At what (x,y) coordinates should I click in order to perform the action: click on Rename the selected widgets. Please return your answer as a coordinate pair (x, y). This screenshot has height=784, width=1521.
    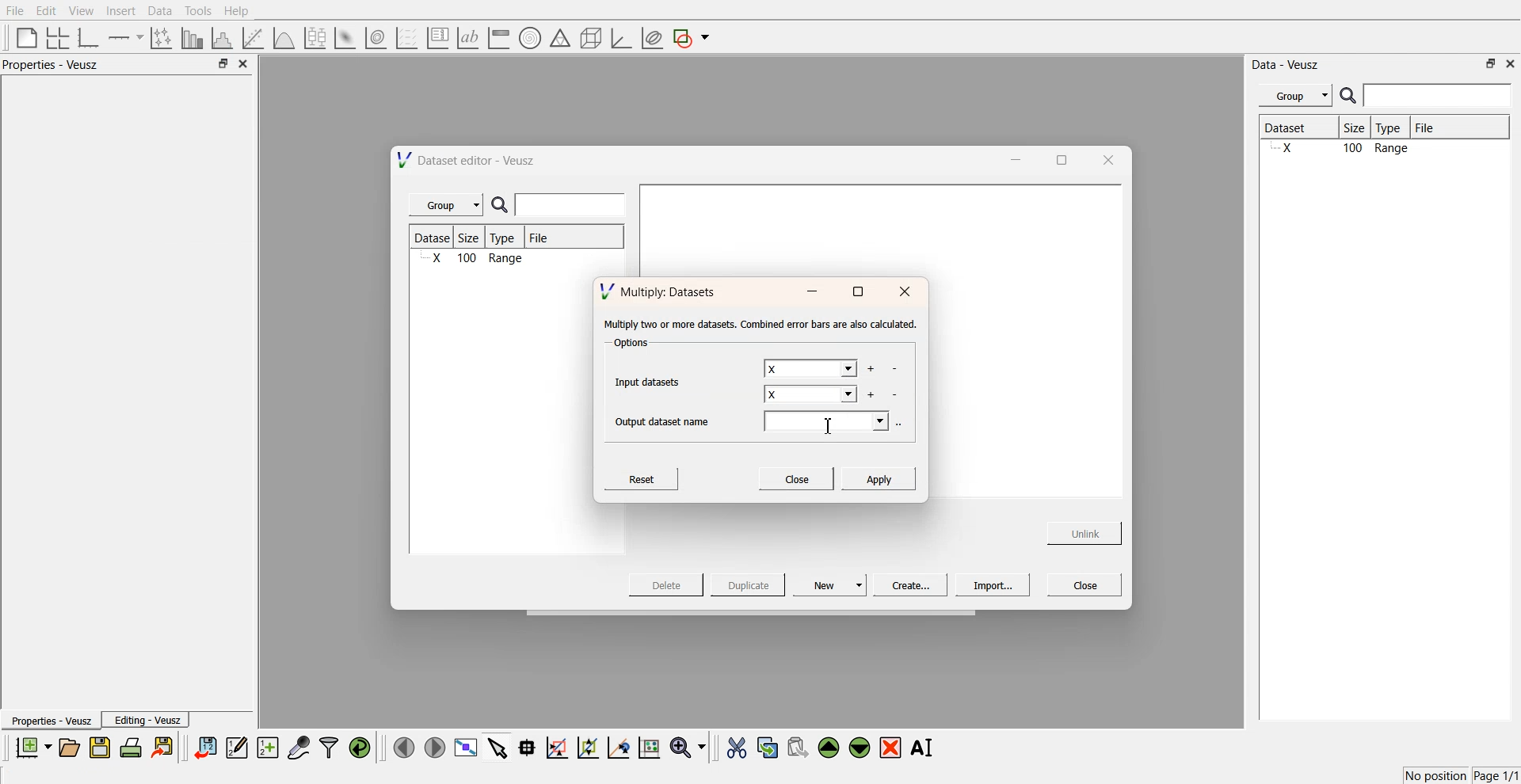
    Looking at the image, I should click on (925, 748).